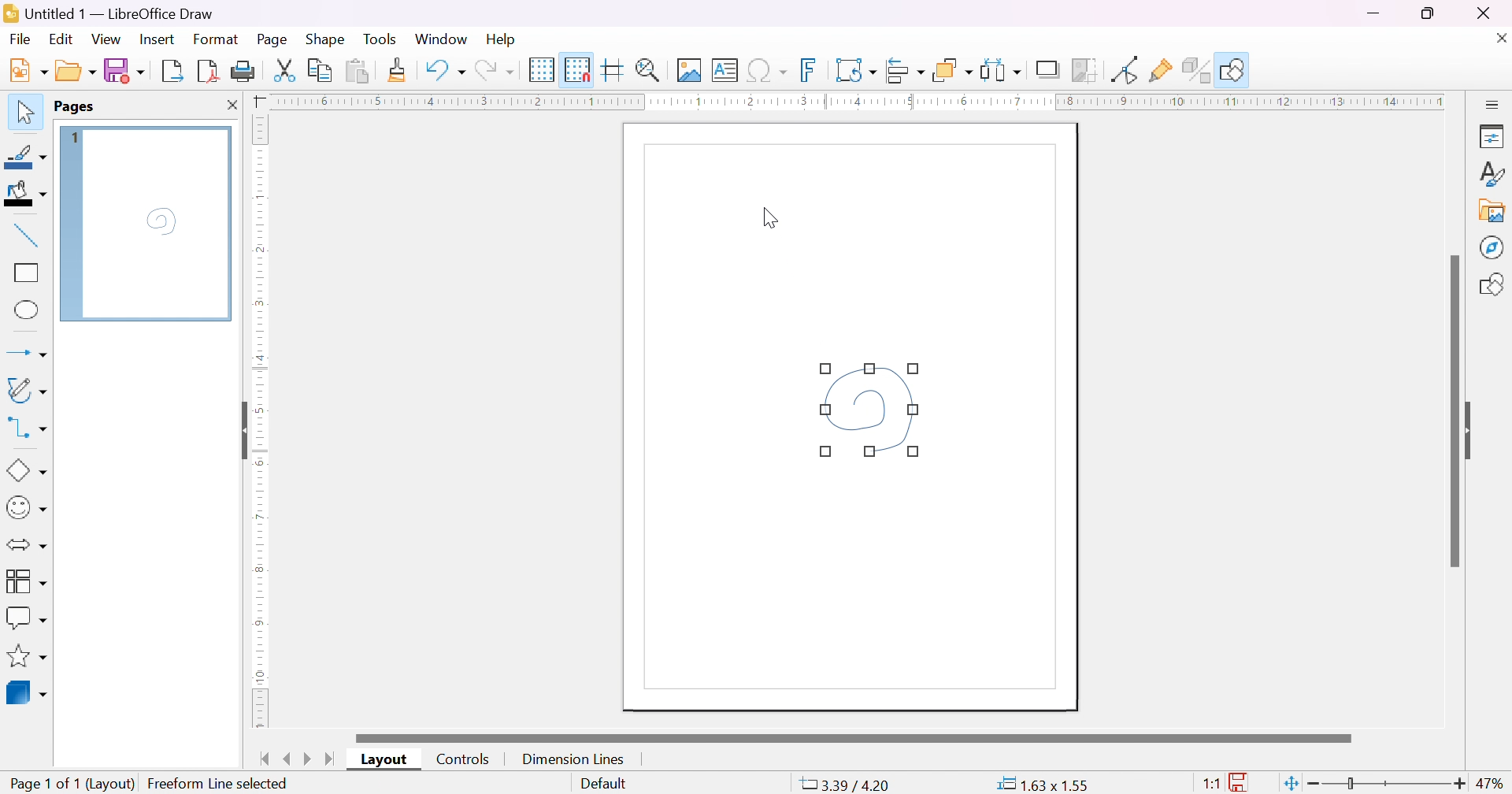 This screenshot has width=1512, height=794. I want to click on fit page to current window, so click(1292, 783).